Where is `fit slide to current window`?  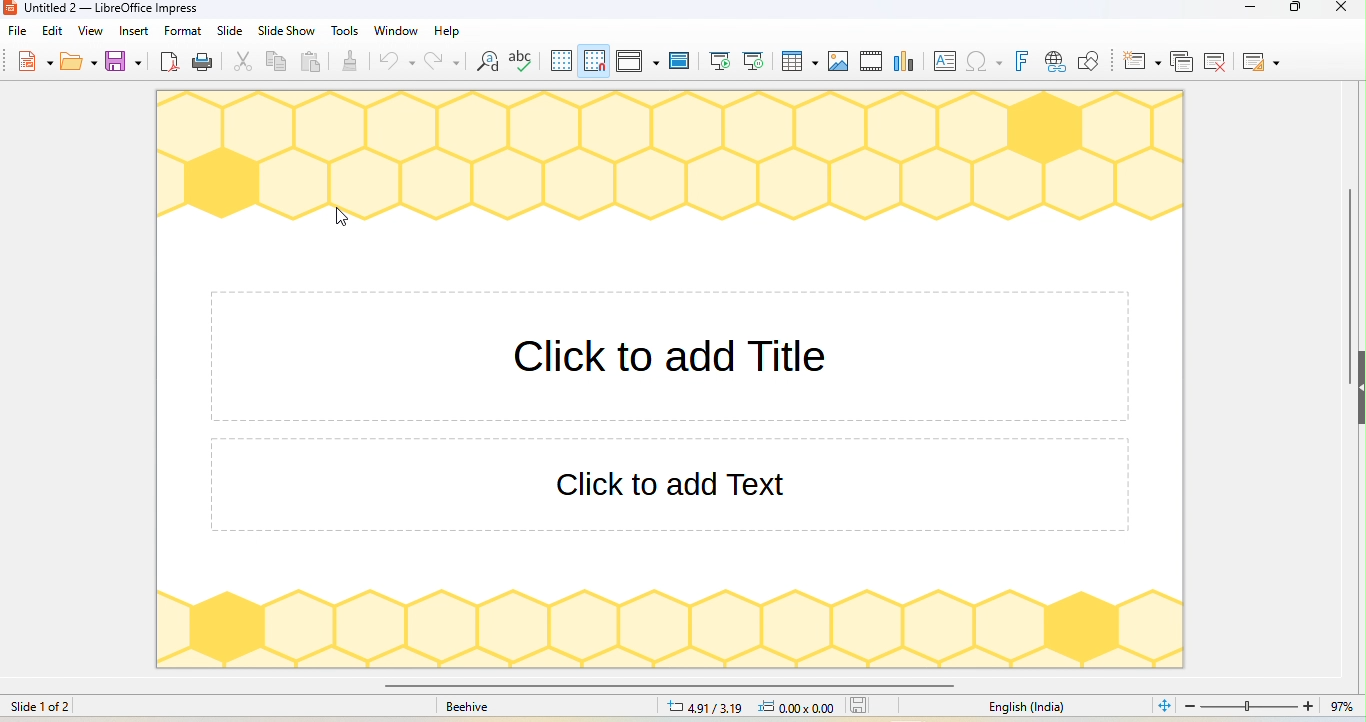 fit slide to current window is located at coordinates (1162, 705).